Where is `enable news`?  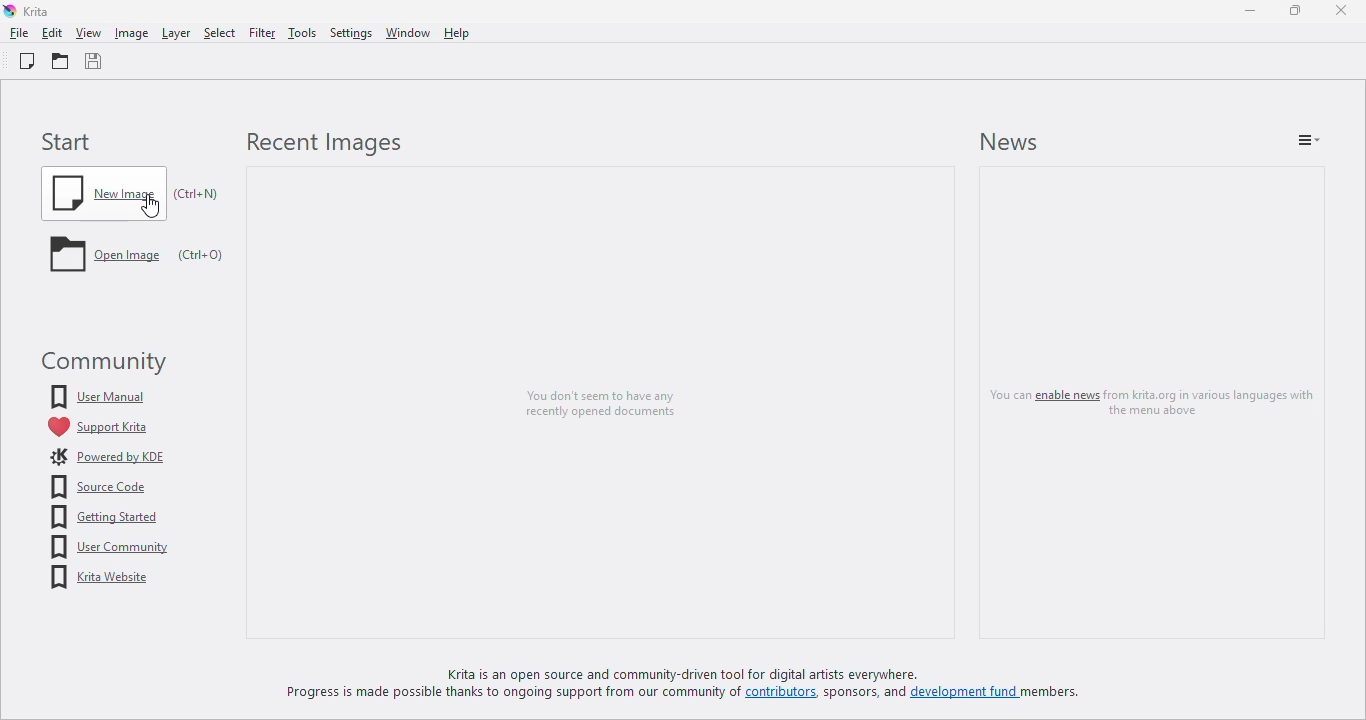 enable news is located at coordinates (1065, 396).